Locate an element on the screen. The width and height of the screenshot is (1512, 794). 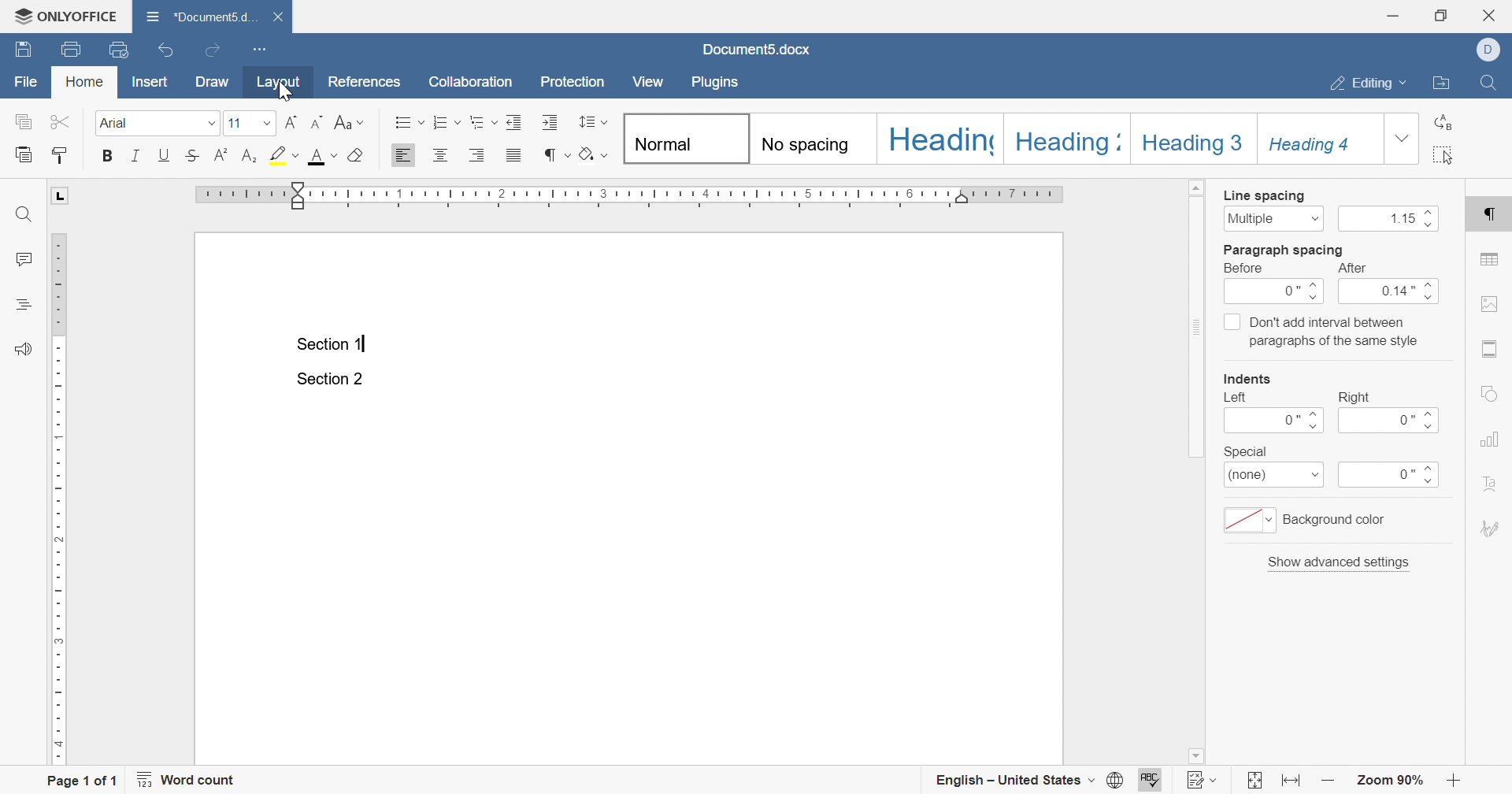
cut is located at coordinates (61, 122).